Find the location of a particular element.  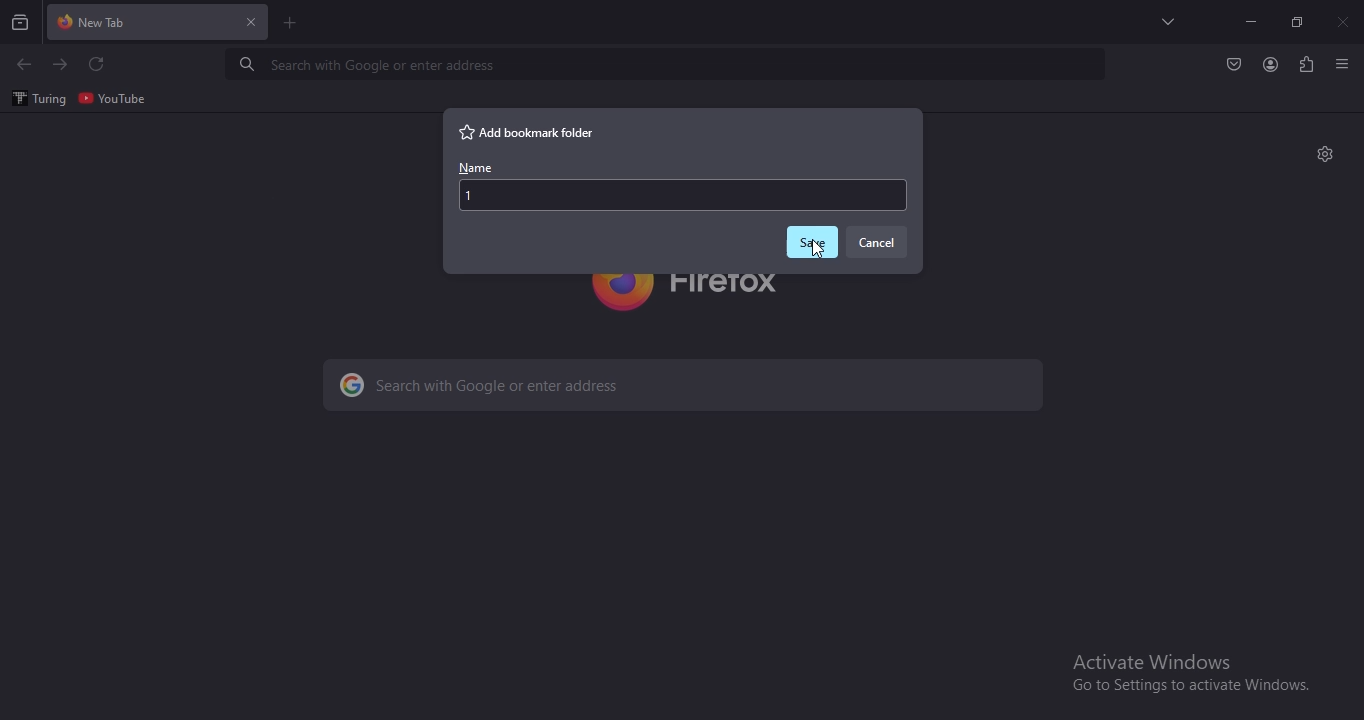

add bookmark folder is located at coordinates (529, 131).